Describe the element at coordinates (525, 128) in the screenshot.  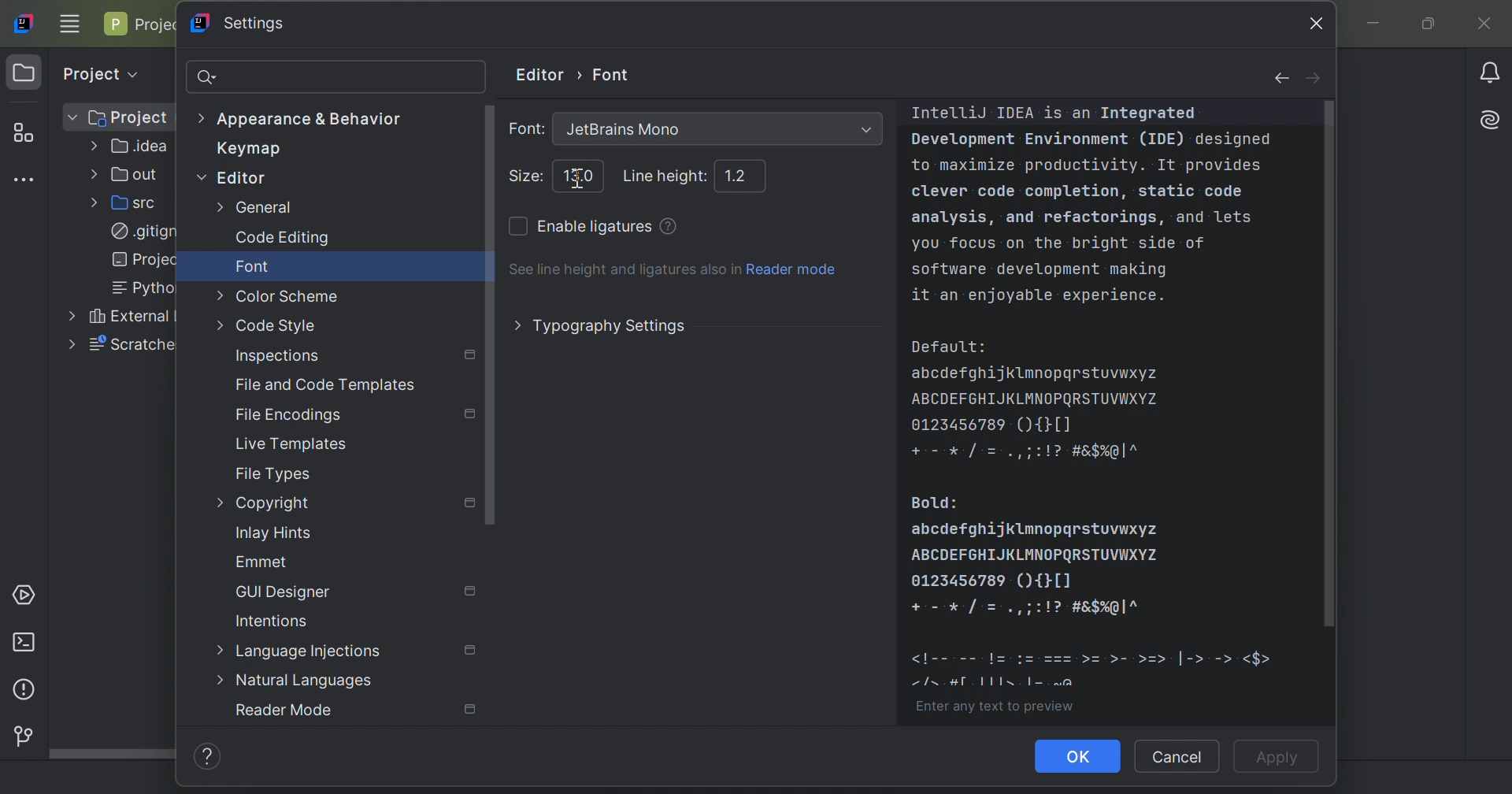
I see `Font:` at that location.